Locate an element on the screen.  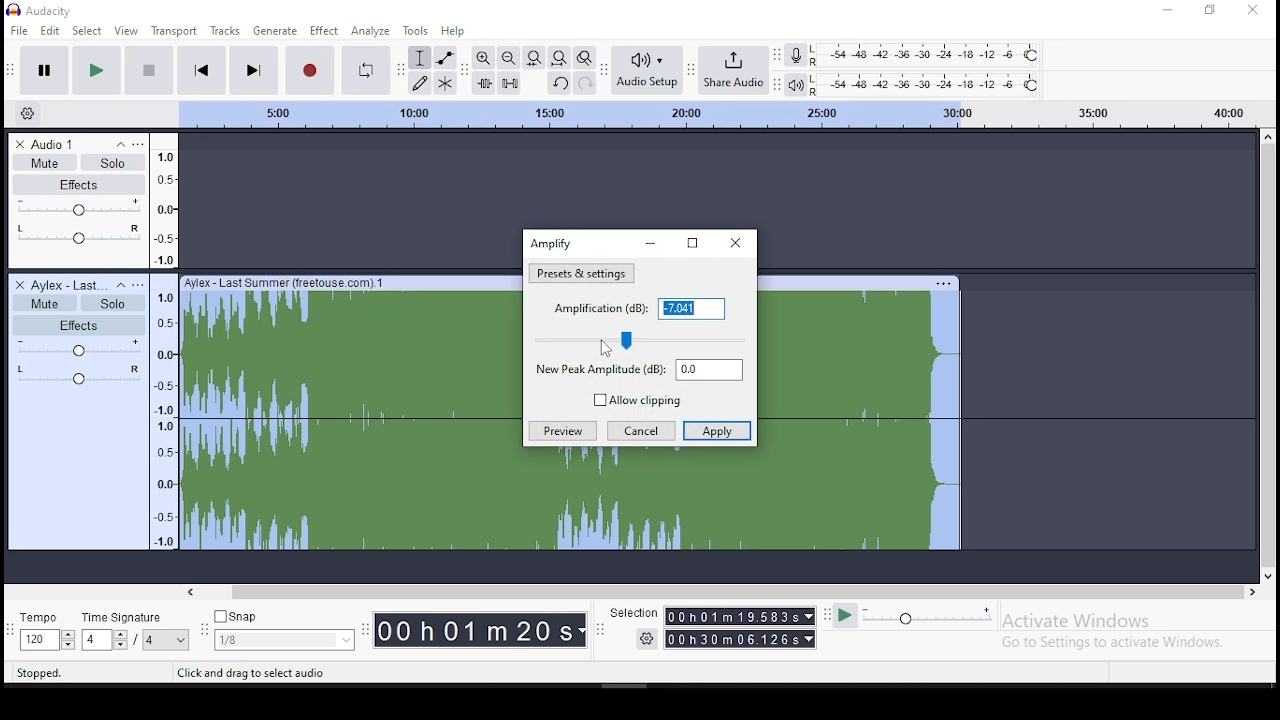
settings is located at coordinates (650, 641).